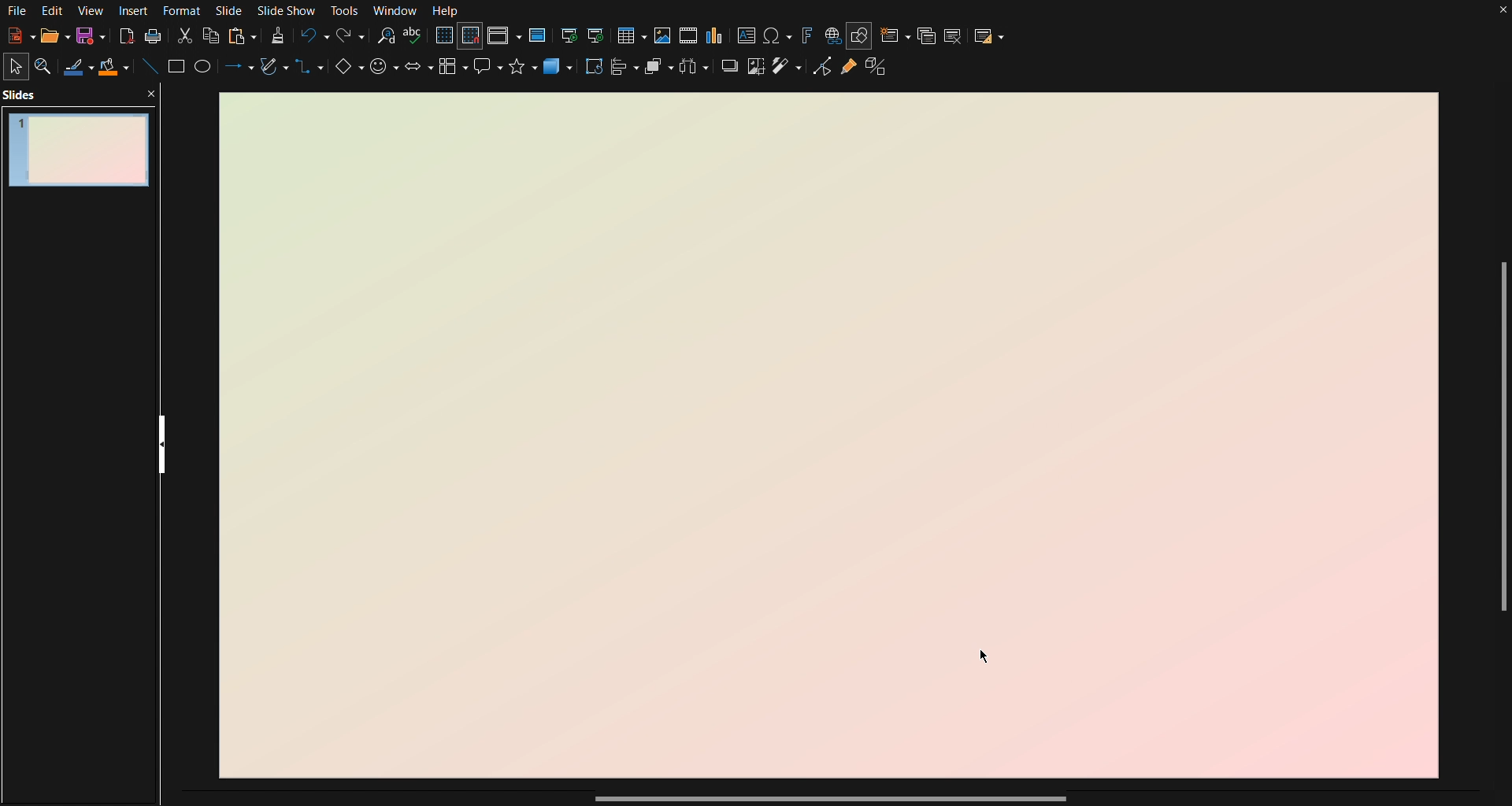 The image size is (1512, 806). What do you see at coordinates (636, 34) in the screenshot?
I see `Insert Table` at bounding box center [636, 34].